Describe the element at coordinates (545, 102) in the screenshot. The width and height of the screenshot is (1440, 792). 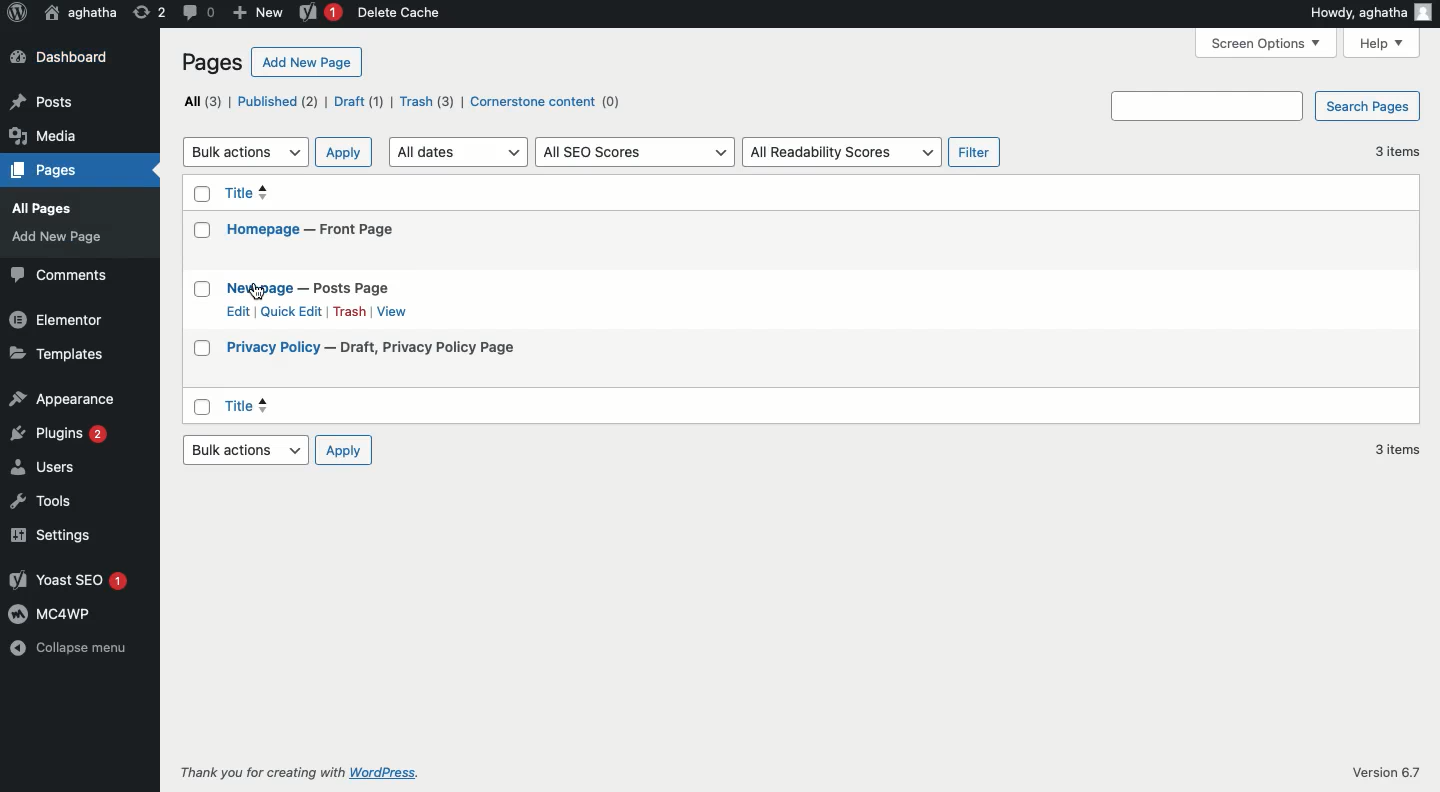
I see `Cornerstone content` at that location.